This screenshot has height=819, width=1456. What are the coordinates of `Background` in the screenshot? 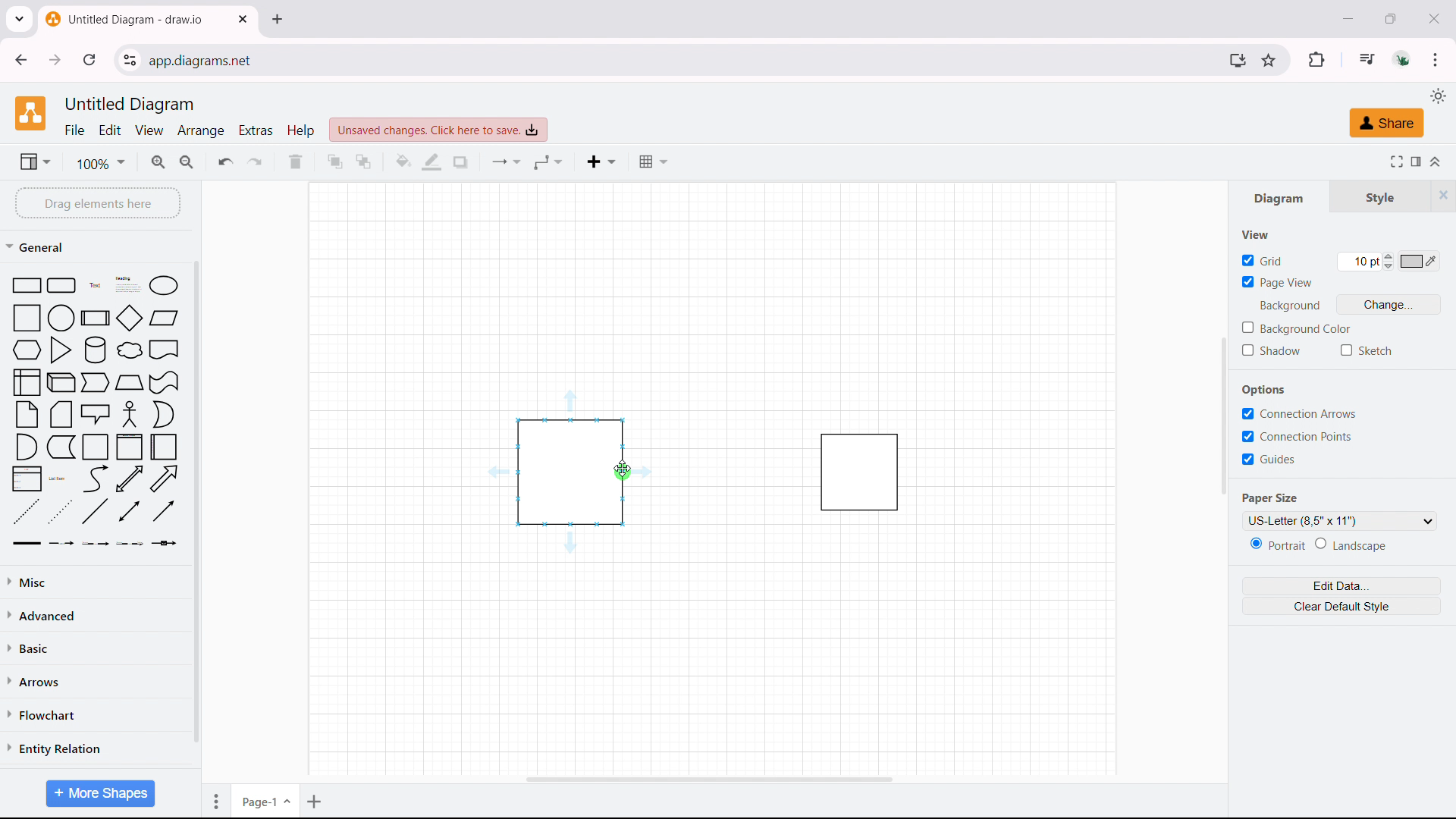 It's located at (1285, 306).